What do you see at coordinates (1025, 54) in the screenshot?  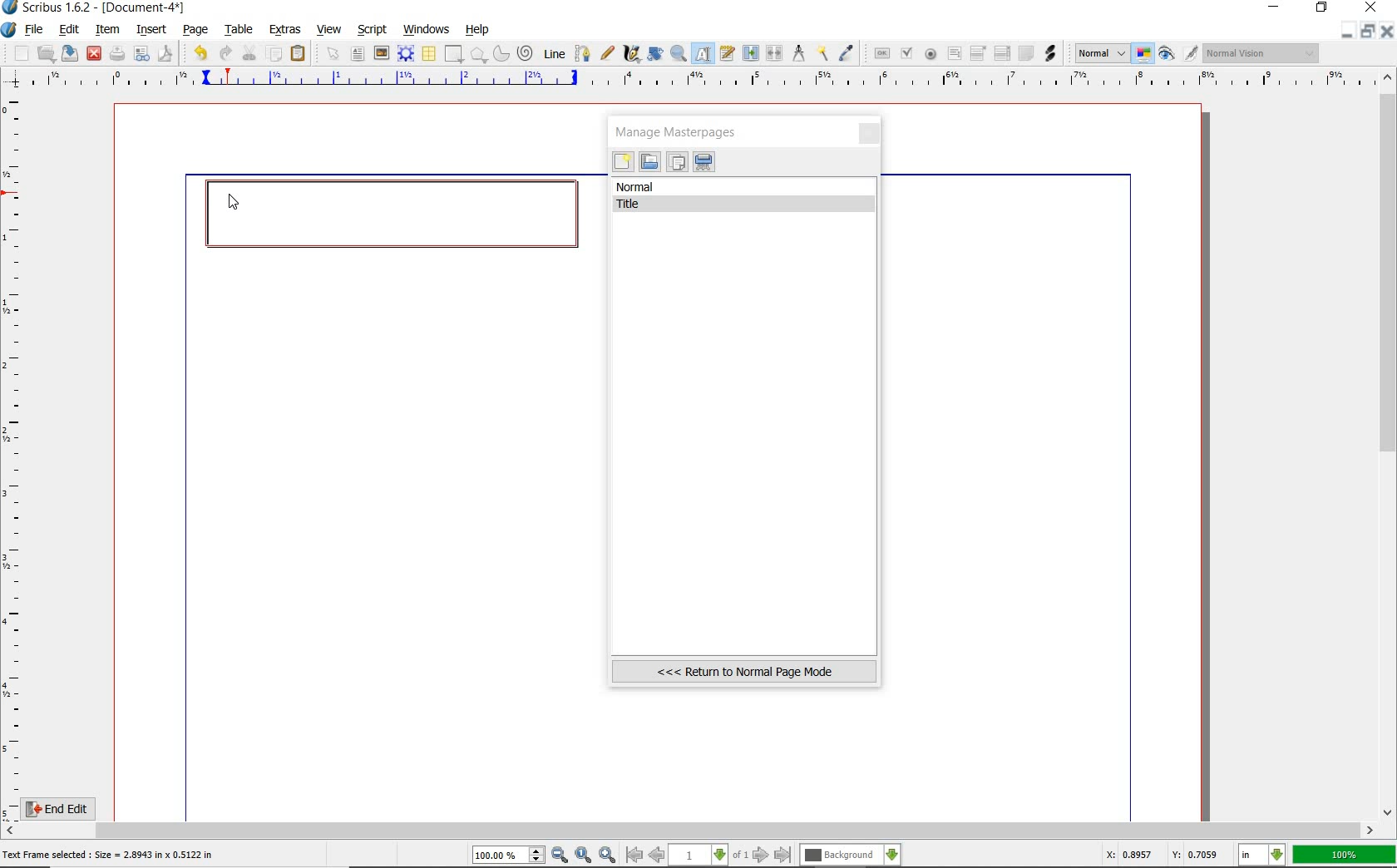 I see `text annotation` at bounding box center [1025, 54].